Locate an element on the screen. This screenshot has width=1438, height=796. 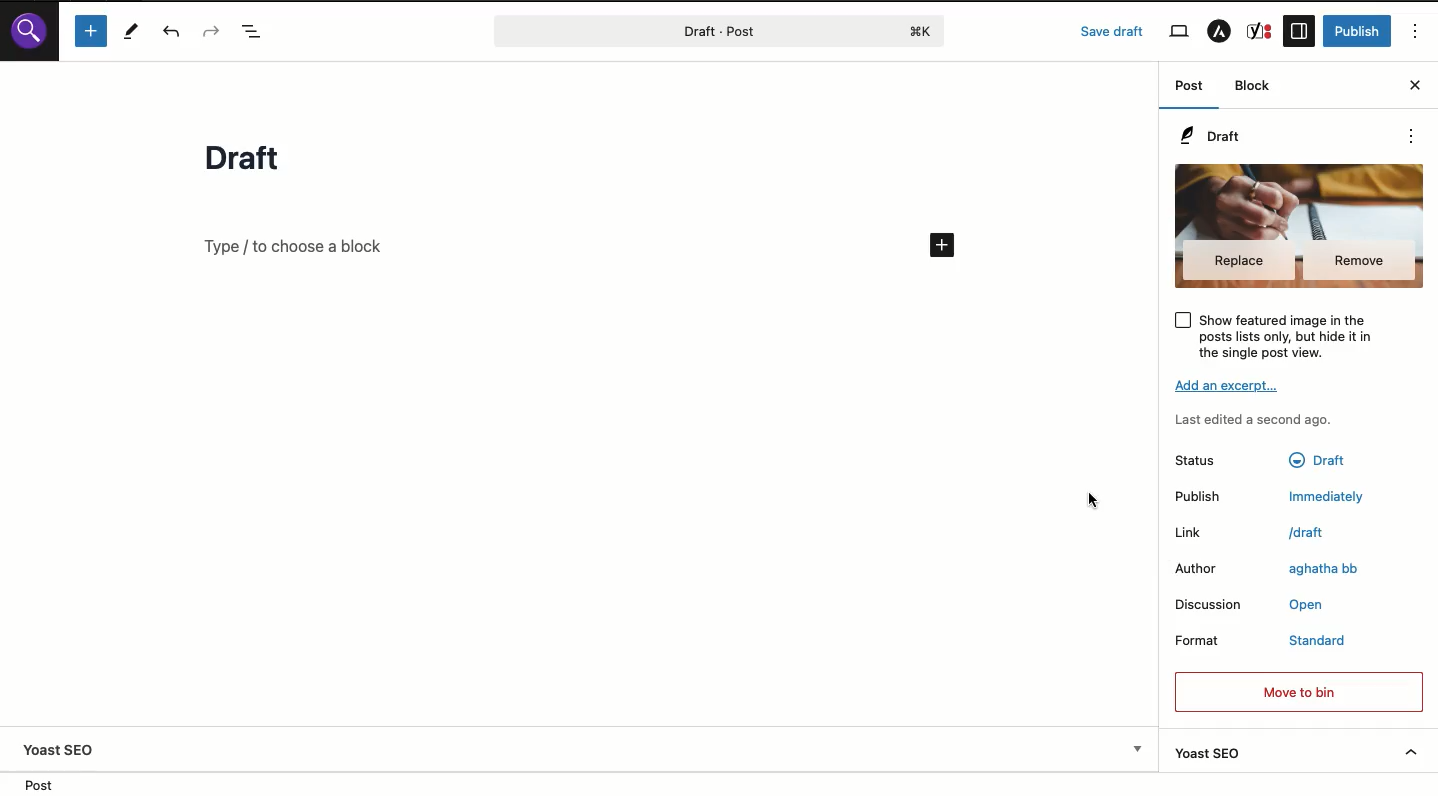
remove is located at coordinates (1360, 260).